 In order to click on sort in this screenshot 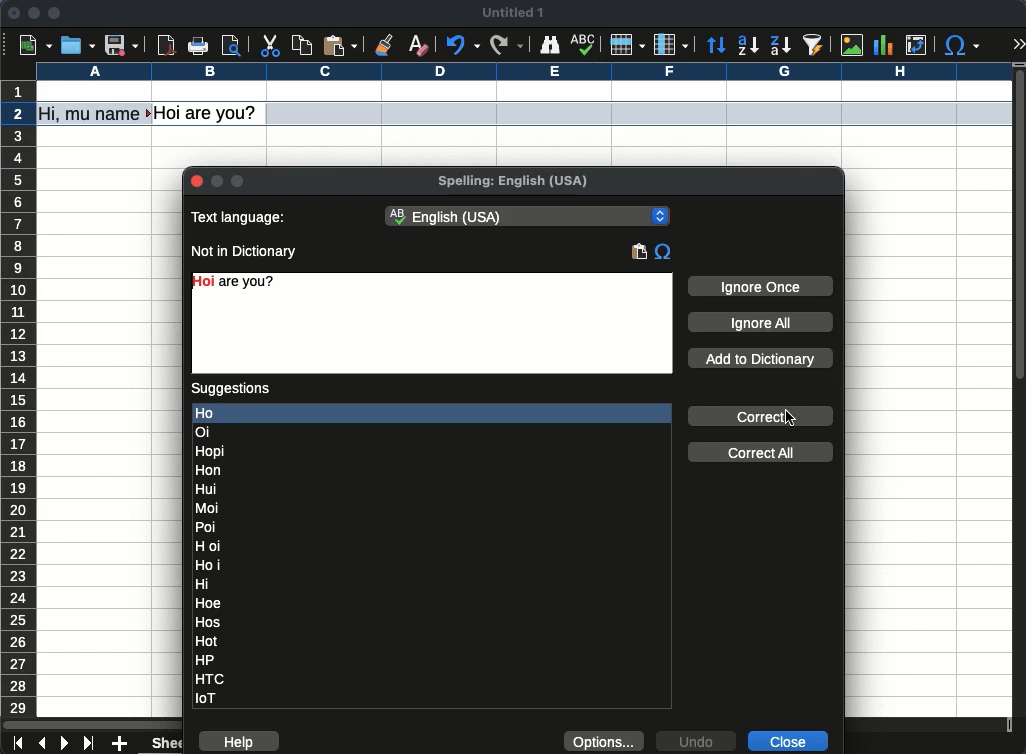, I will do `click(716, 46)`.